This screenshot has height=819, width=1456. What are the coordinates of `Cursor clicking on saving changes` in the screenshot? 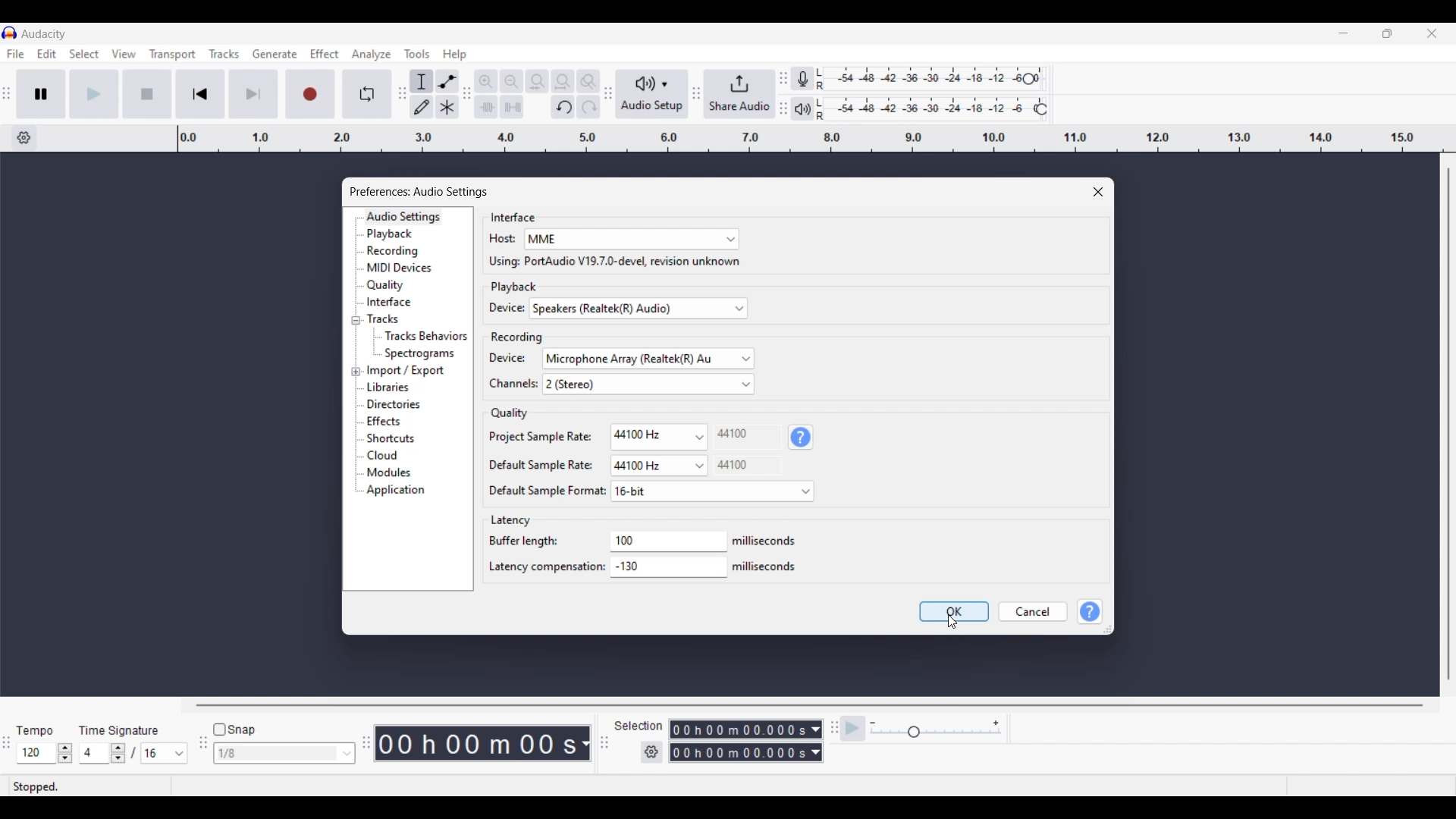 It's located at (950, 622).